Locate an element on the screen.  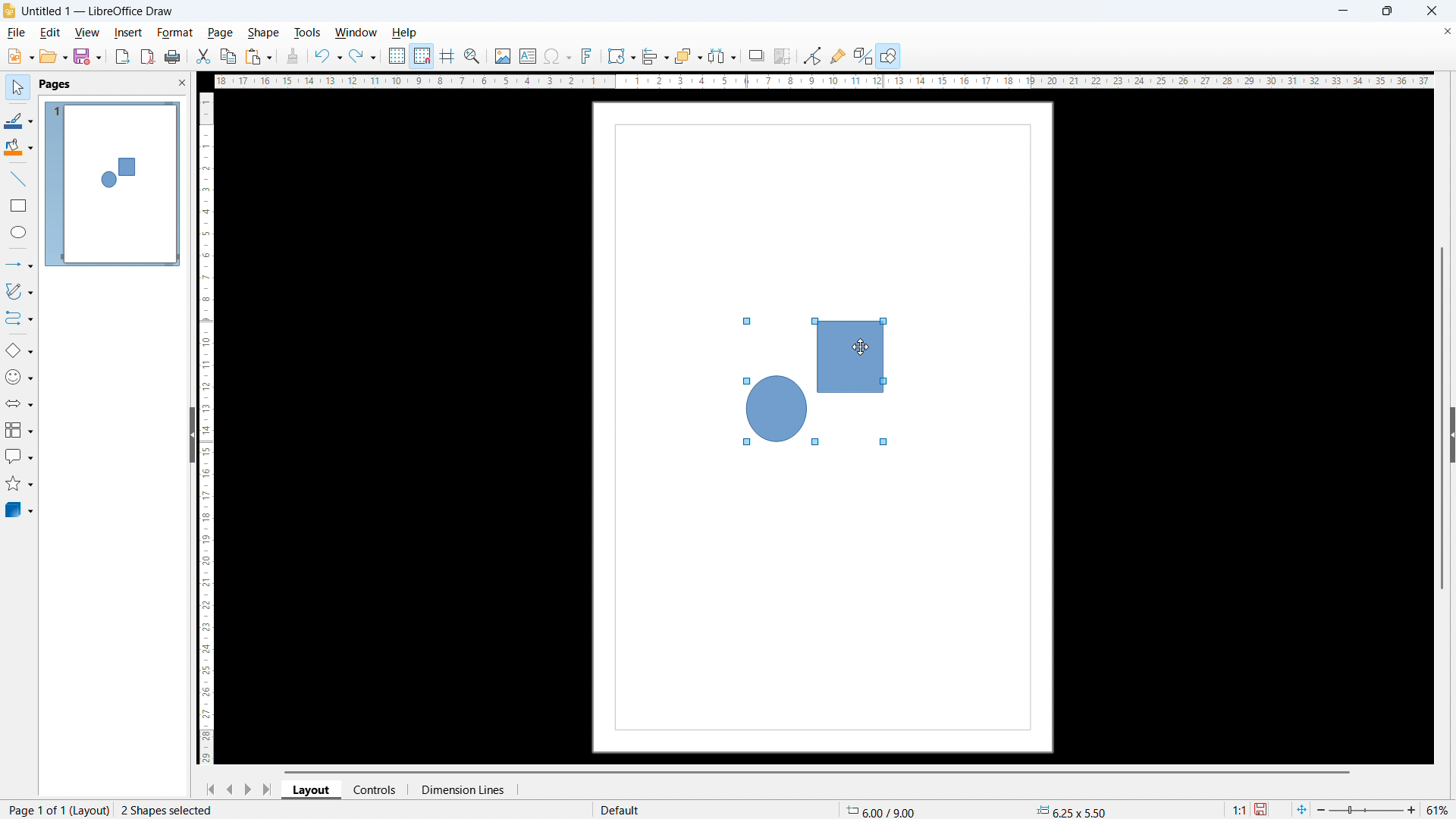
file is located at coordinates (17, 33).